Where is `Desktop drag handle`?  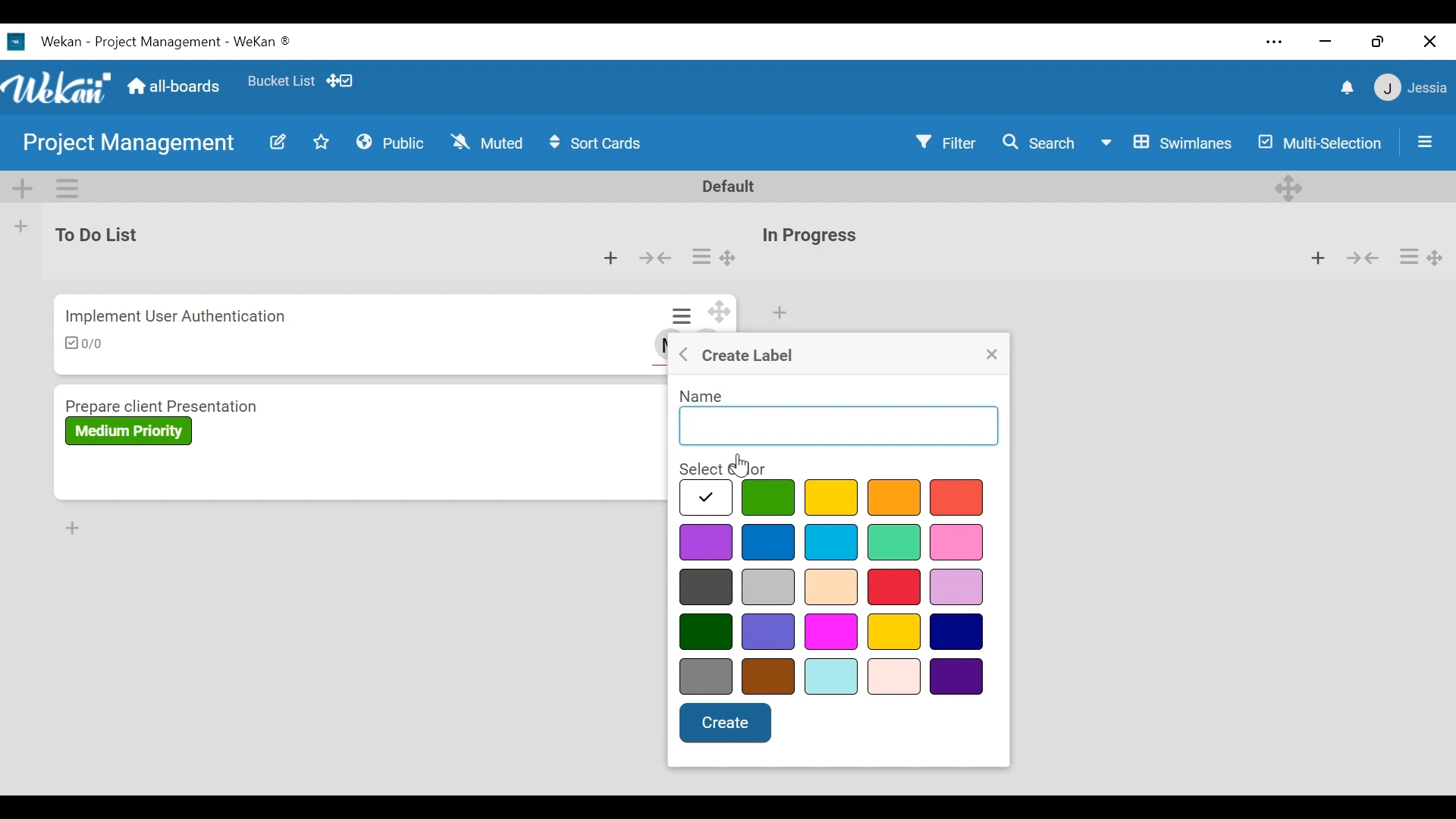
Desktop drag handle is located at coordinates (729, 259).